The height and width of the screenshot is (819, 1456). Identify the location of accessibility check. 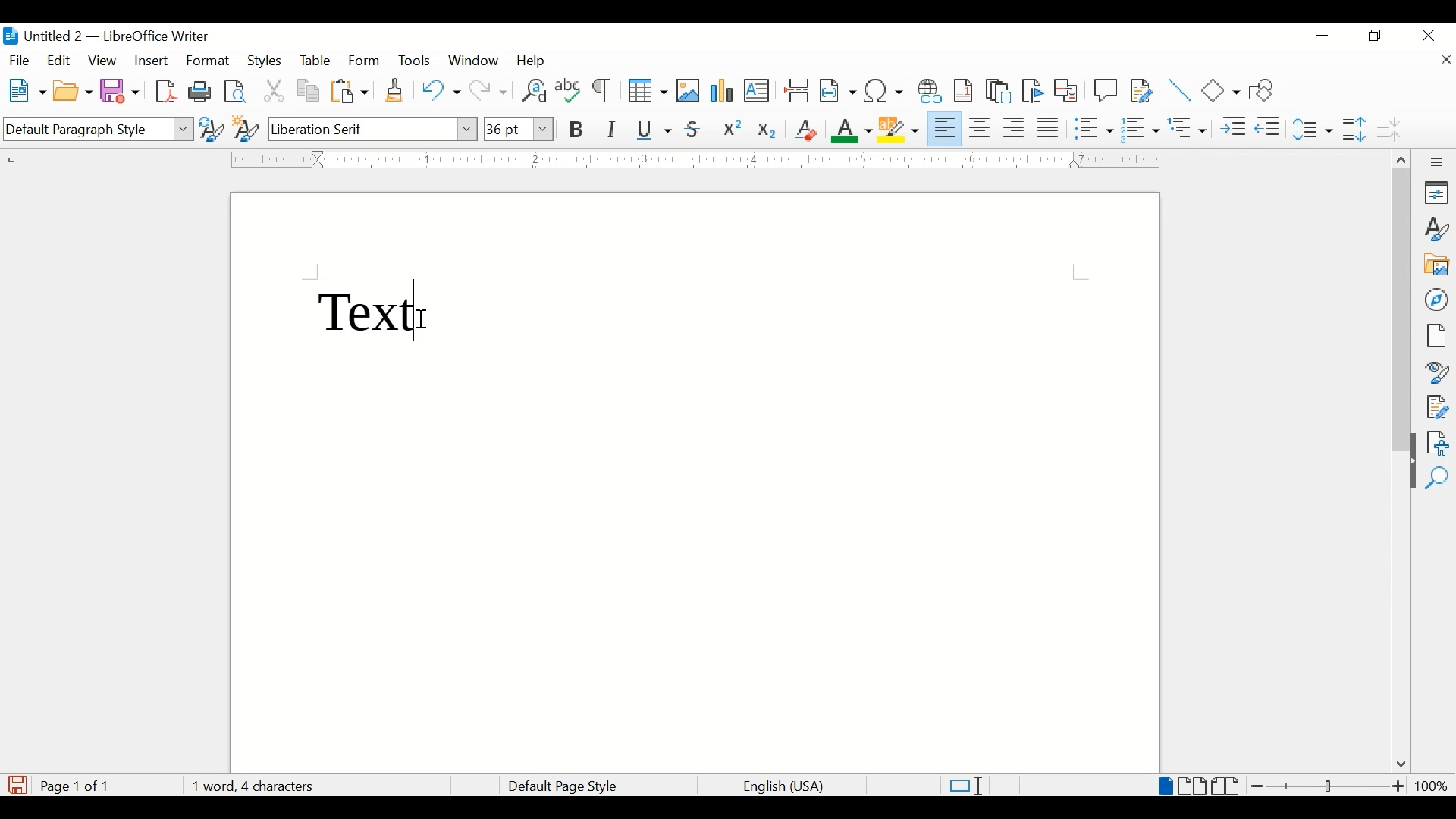
(1438, 443).